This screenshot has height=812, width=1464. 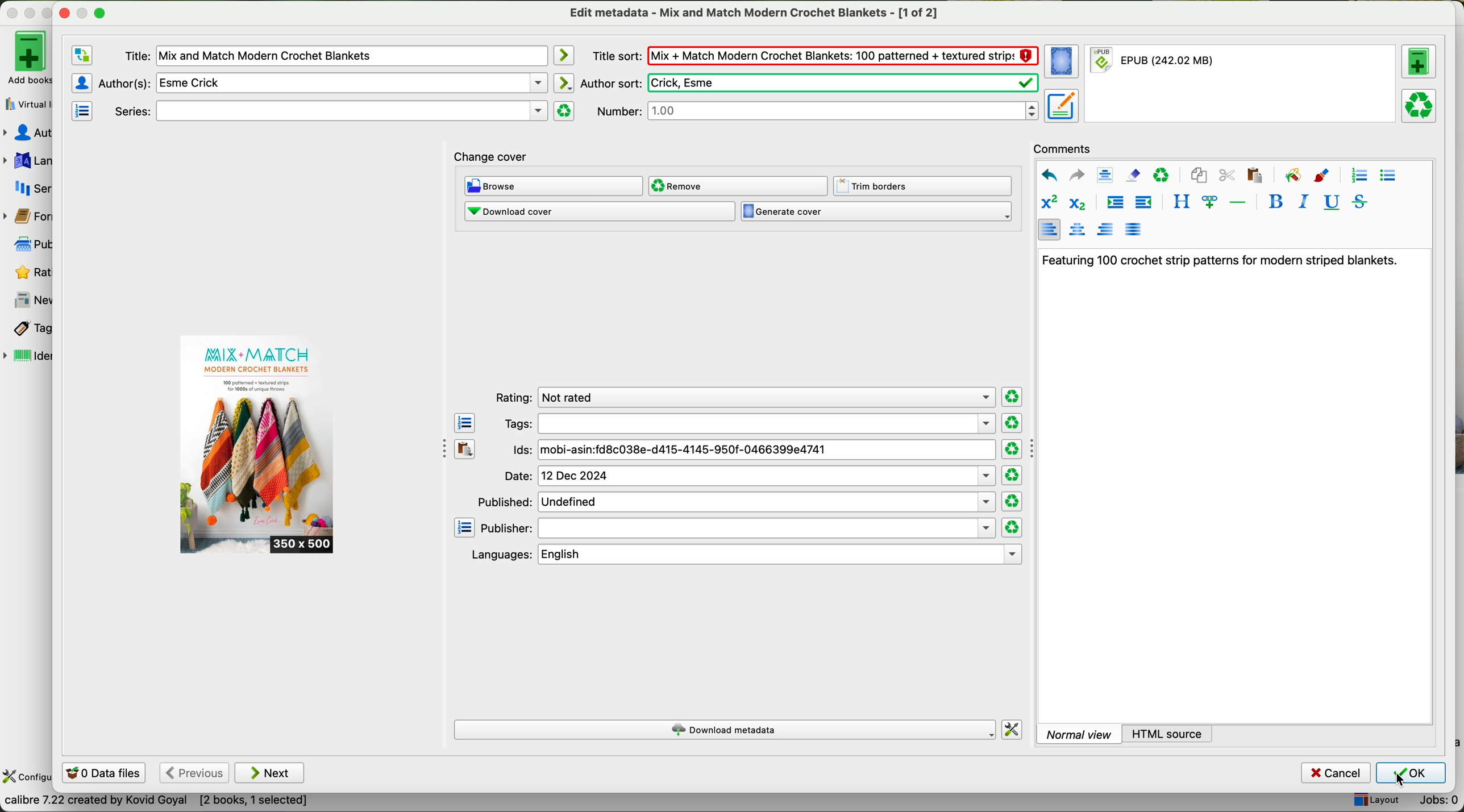 I want to click on author sort, so click(x=808, y=83).